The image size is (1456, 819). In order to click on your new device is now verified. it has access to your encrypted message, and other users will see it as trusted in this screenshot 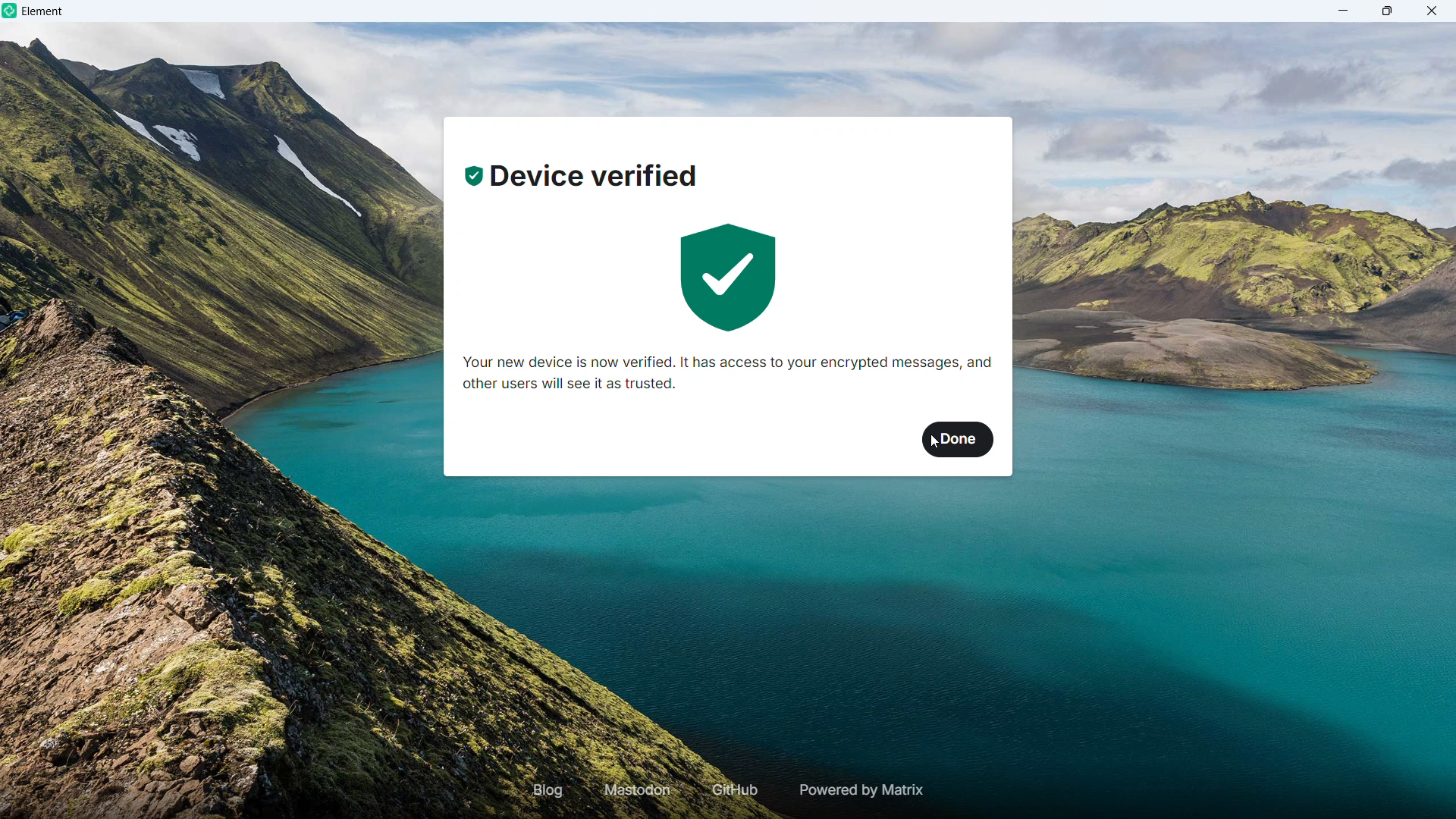, I will do `click(729, 375)`.